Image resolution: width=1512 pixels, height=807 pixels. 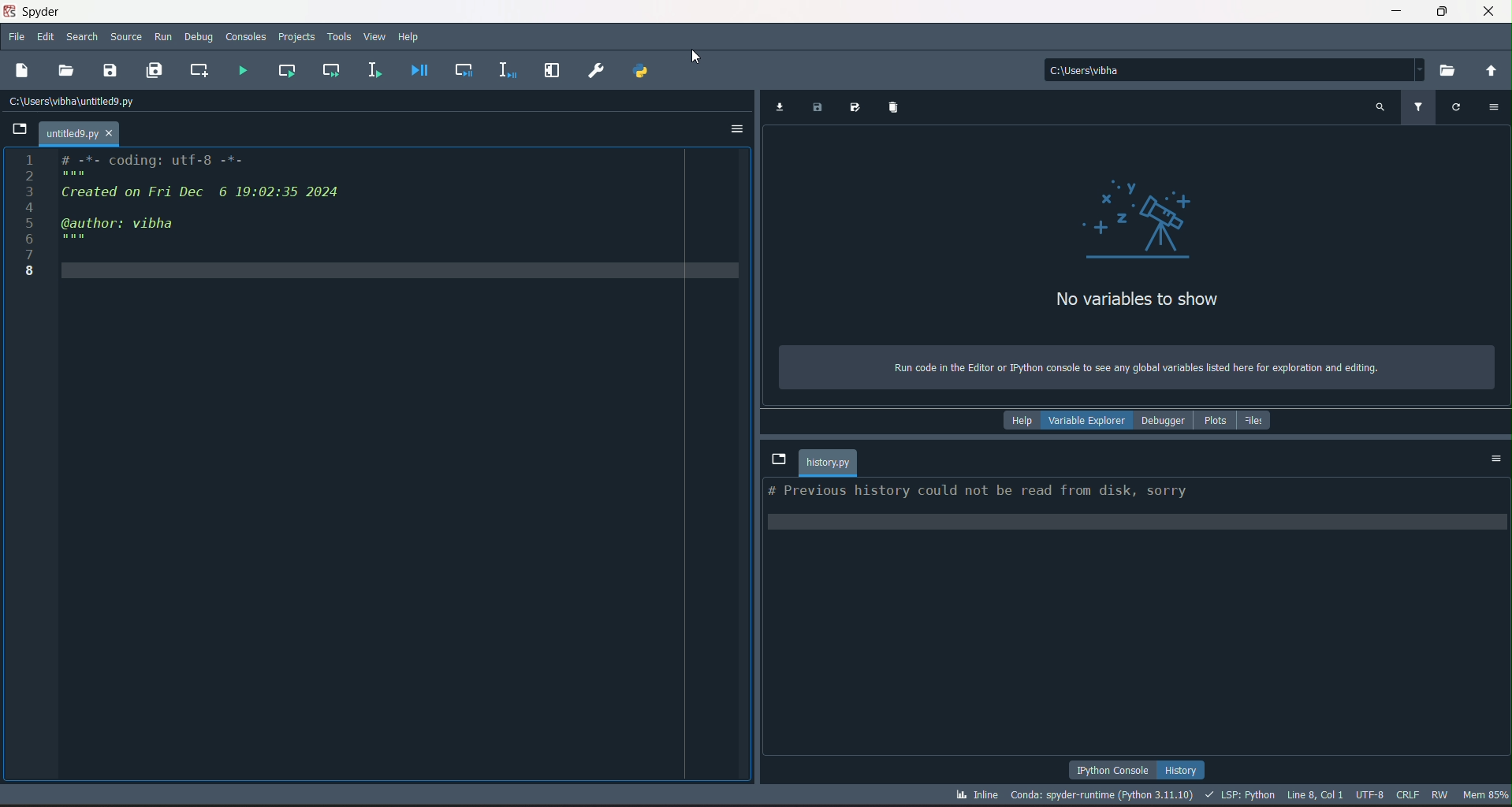 I want to click on python console, so click(x=1115, y=769).